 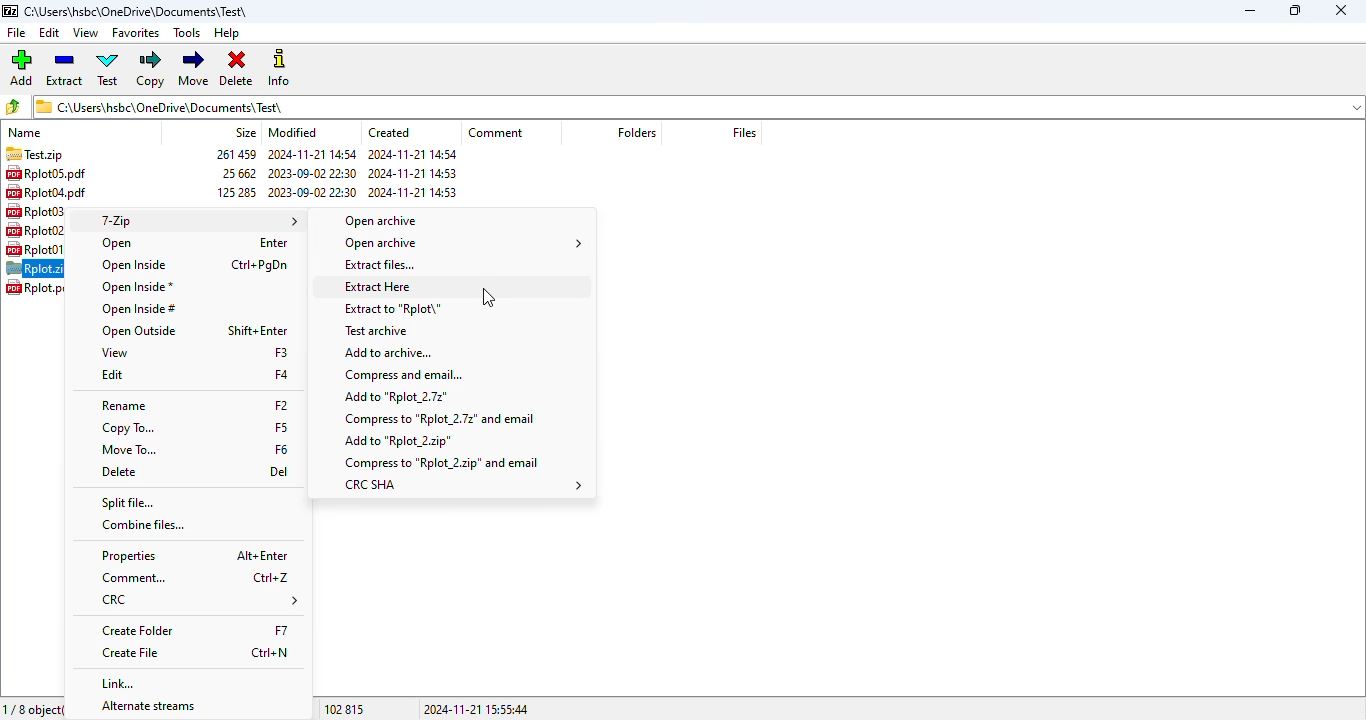 I want to click on modified, so click(x=292, y=133).